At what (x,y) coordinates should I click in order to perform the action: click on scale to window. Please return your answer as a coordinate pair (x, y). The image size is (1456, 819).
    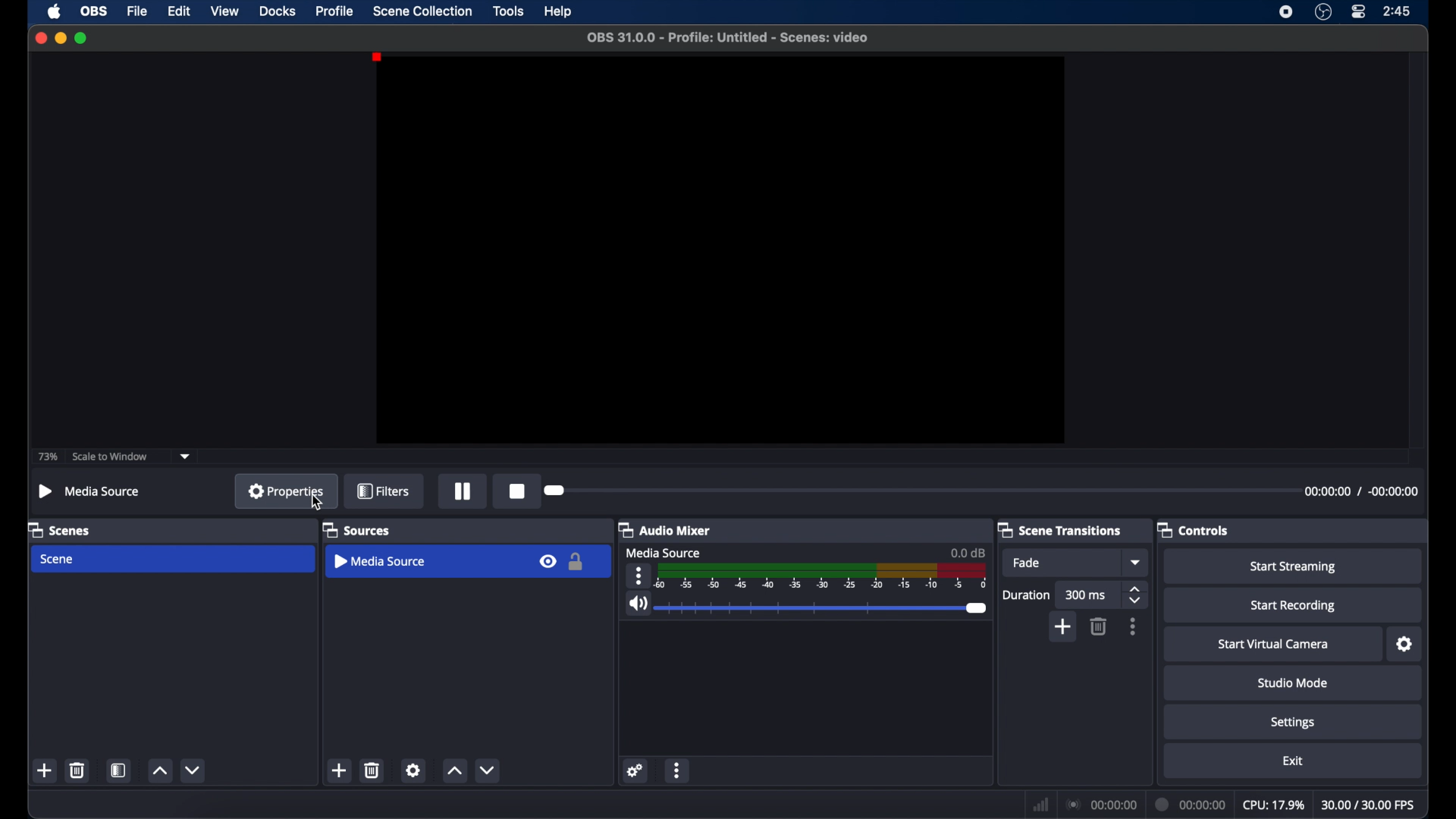
    Looking at the image, I should click on (112, 457).